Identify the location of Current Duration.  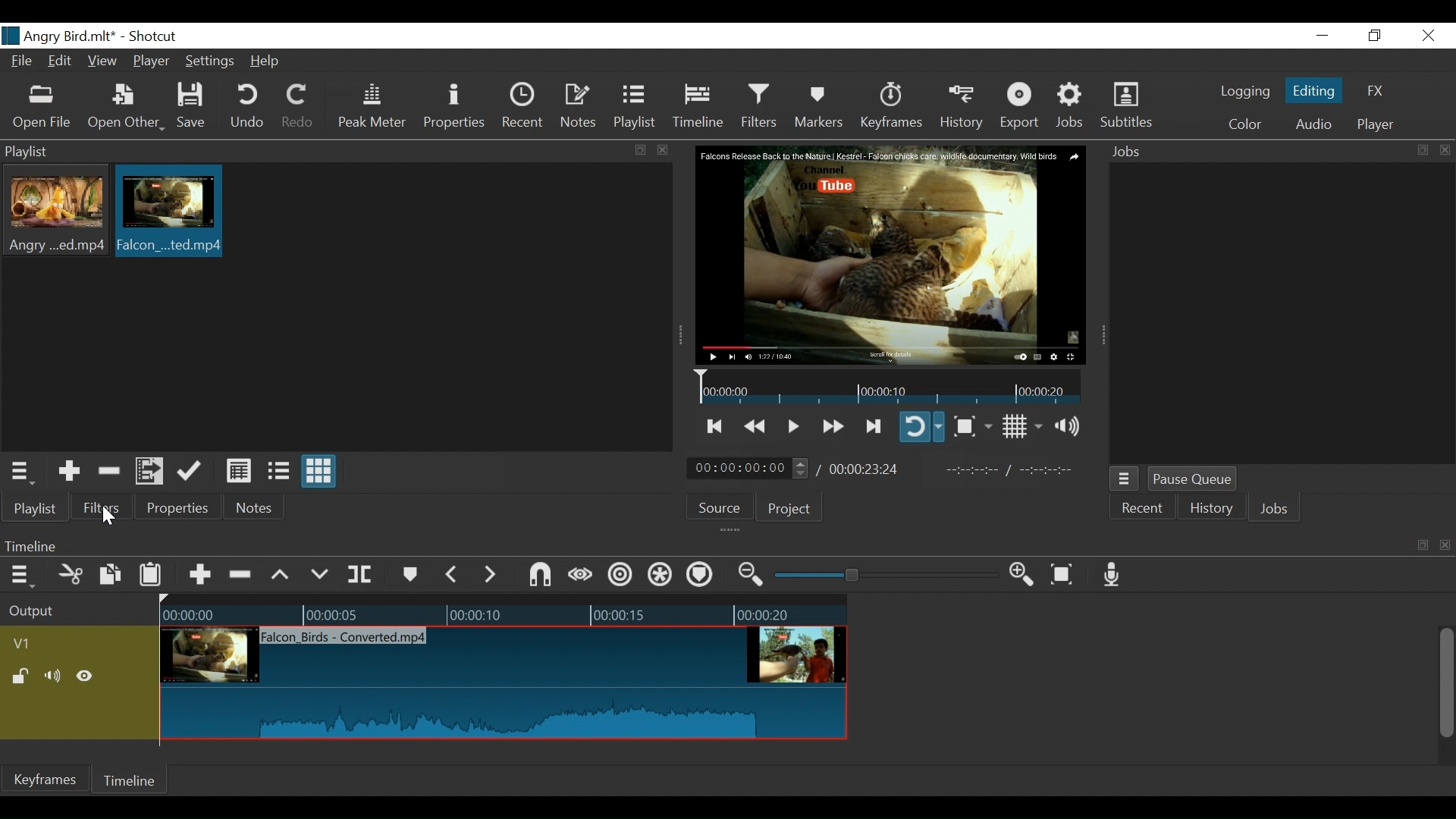
(748, 467).